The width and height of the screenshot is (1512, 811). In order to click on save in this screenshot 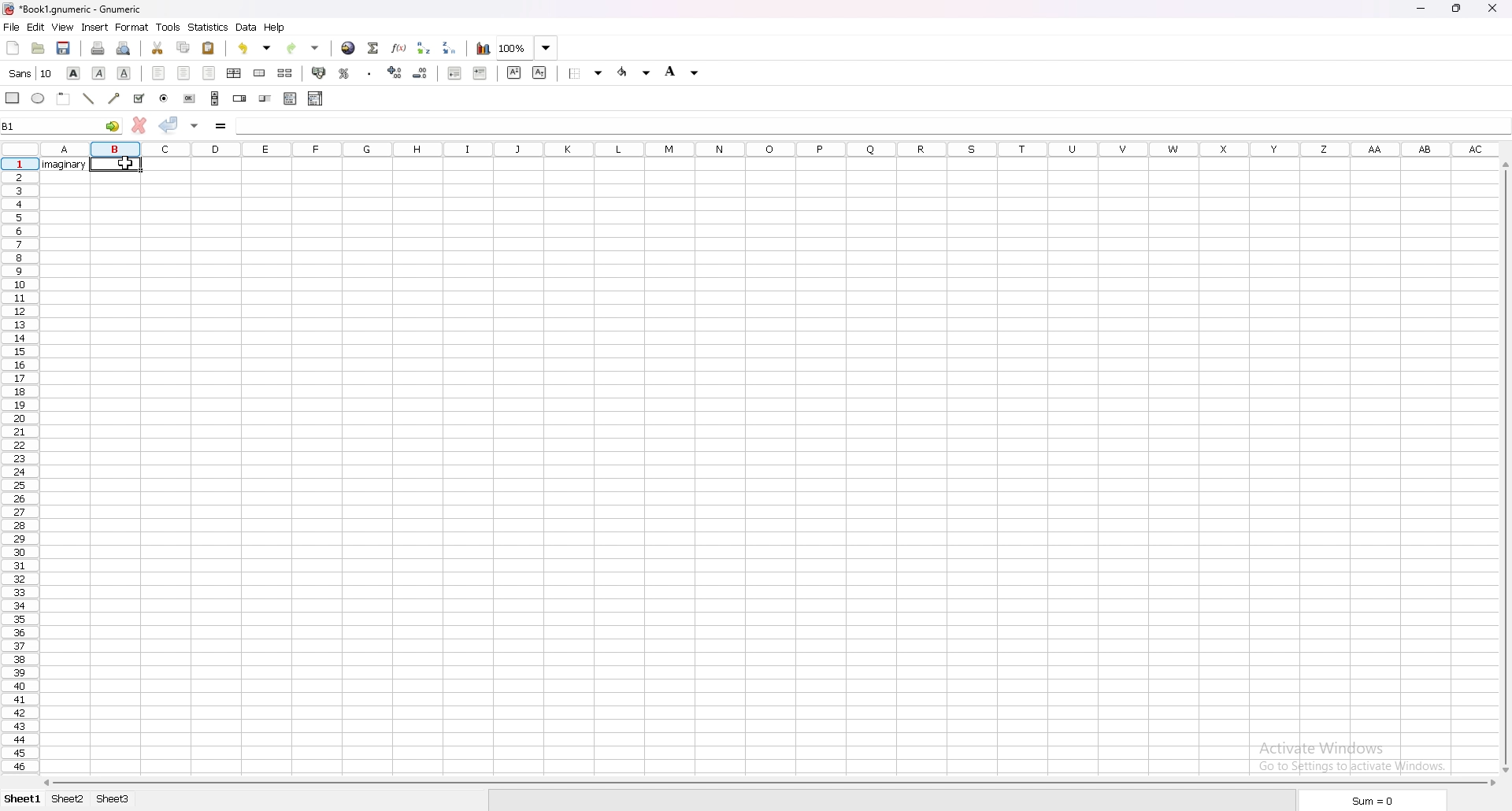, I will do `click(63, 48)`.